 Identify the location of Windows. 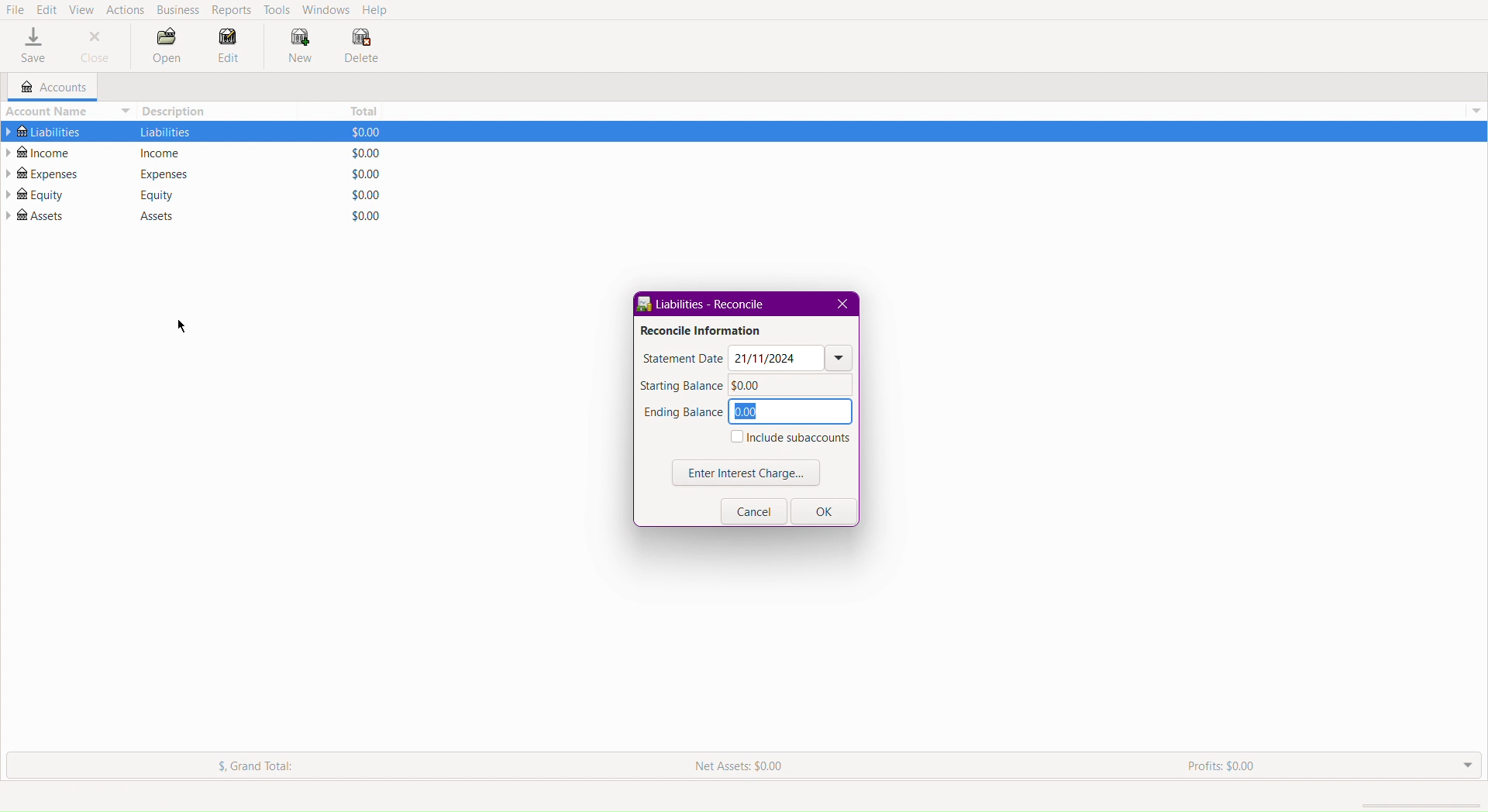
(328, 10).